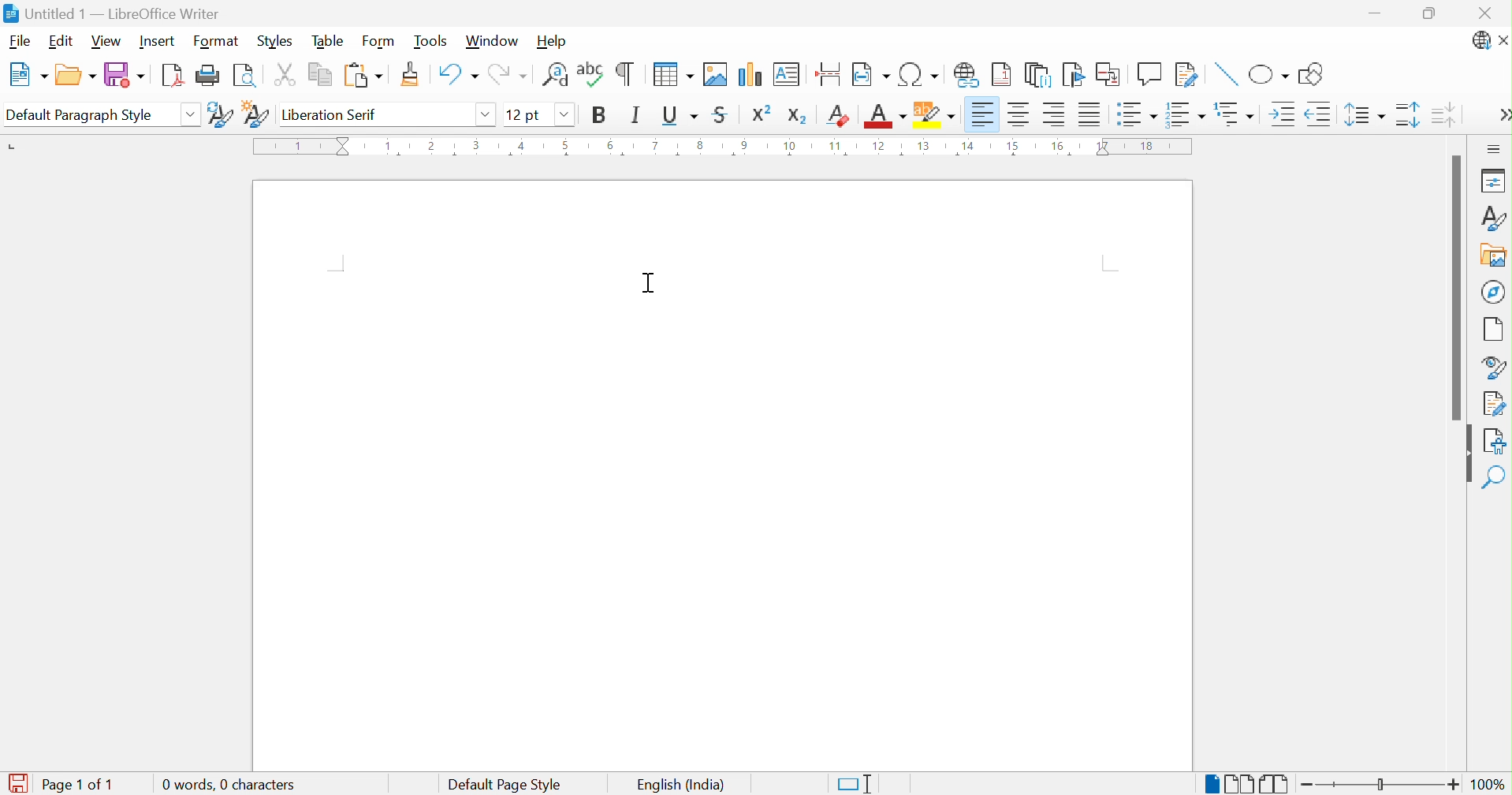  I want to click on Default page style, so click(503, 785).